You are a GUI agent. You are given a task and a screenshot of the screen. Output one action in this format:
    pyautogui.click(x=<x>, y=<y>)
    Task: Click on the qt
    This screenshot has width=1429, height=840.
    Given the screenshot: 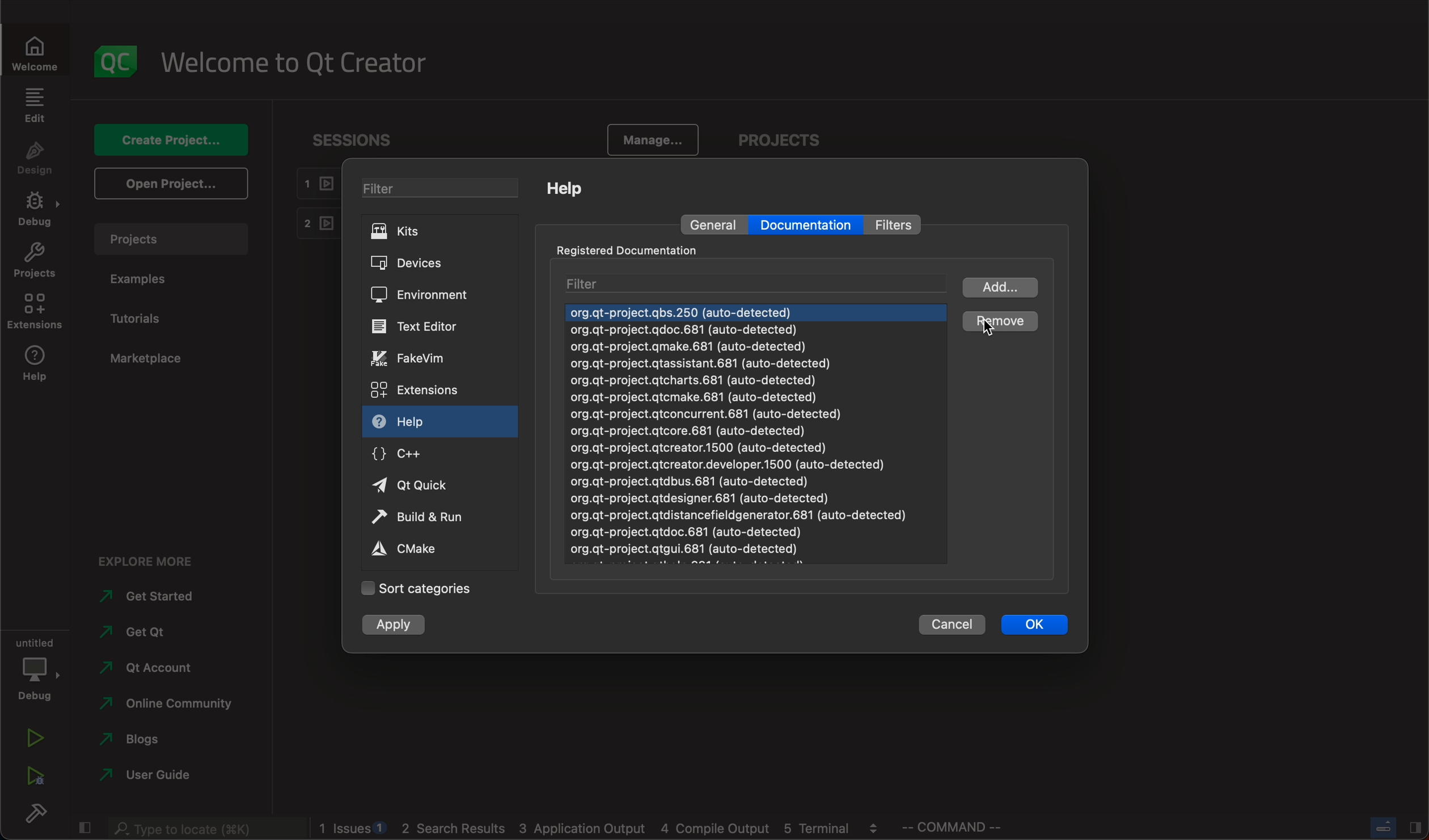 What is the action you would take?
    pyautogui.click(x=423, y=486)
    